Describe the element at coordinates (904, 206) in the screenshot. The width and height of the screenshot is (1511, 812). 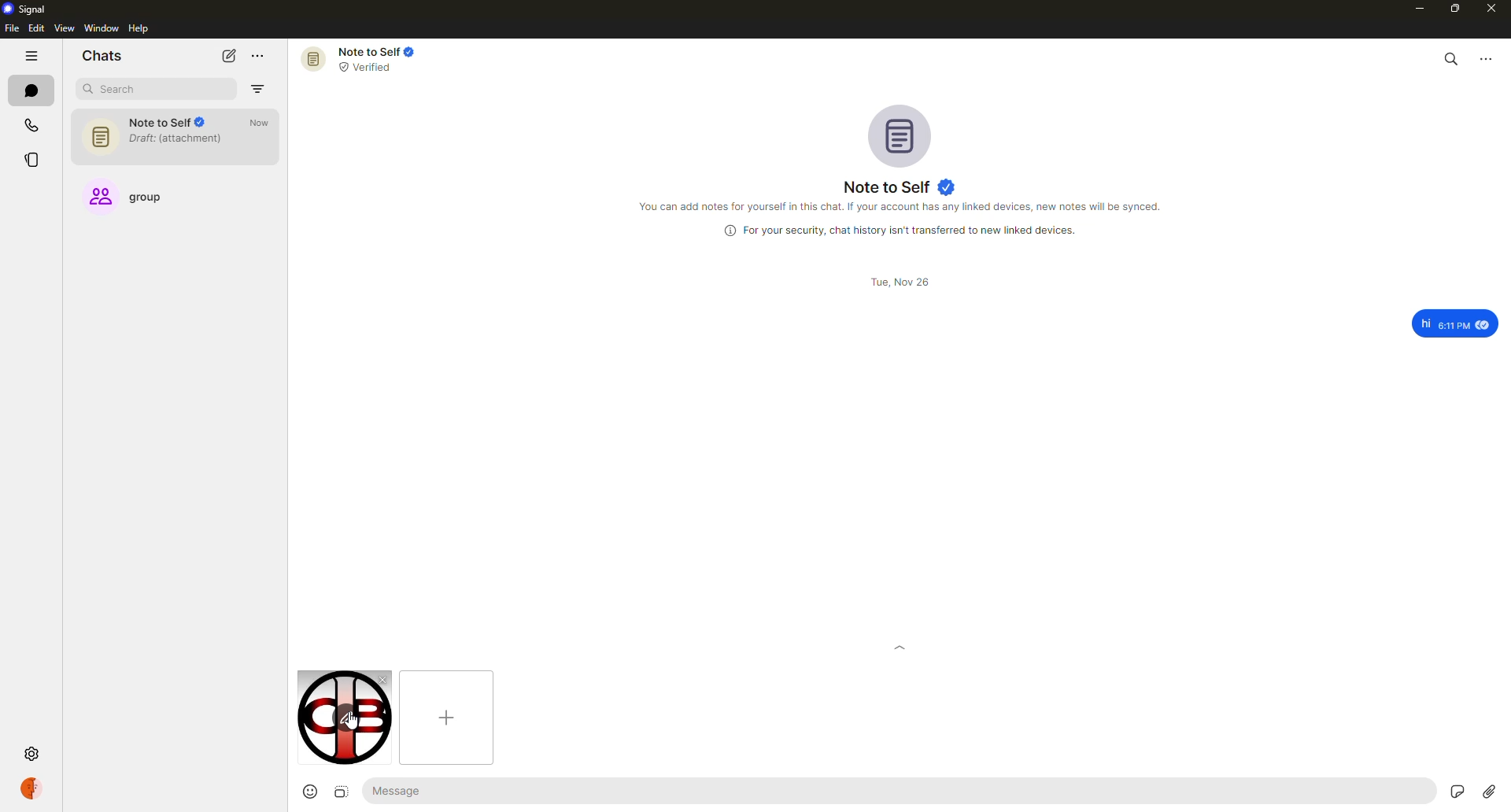
I see `info` at that location.